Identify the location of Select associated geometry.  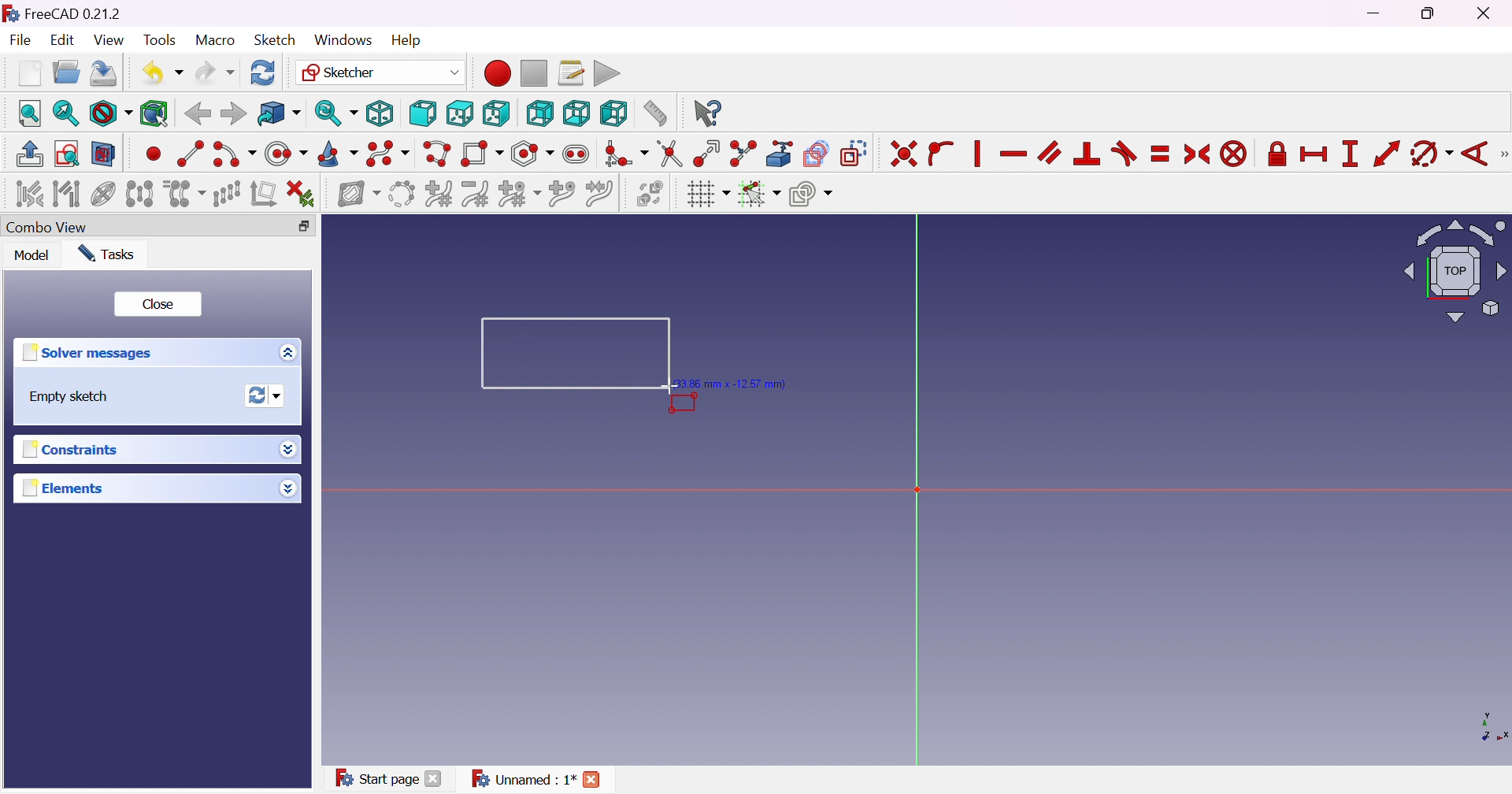
(67, 193).